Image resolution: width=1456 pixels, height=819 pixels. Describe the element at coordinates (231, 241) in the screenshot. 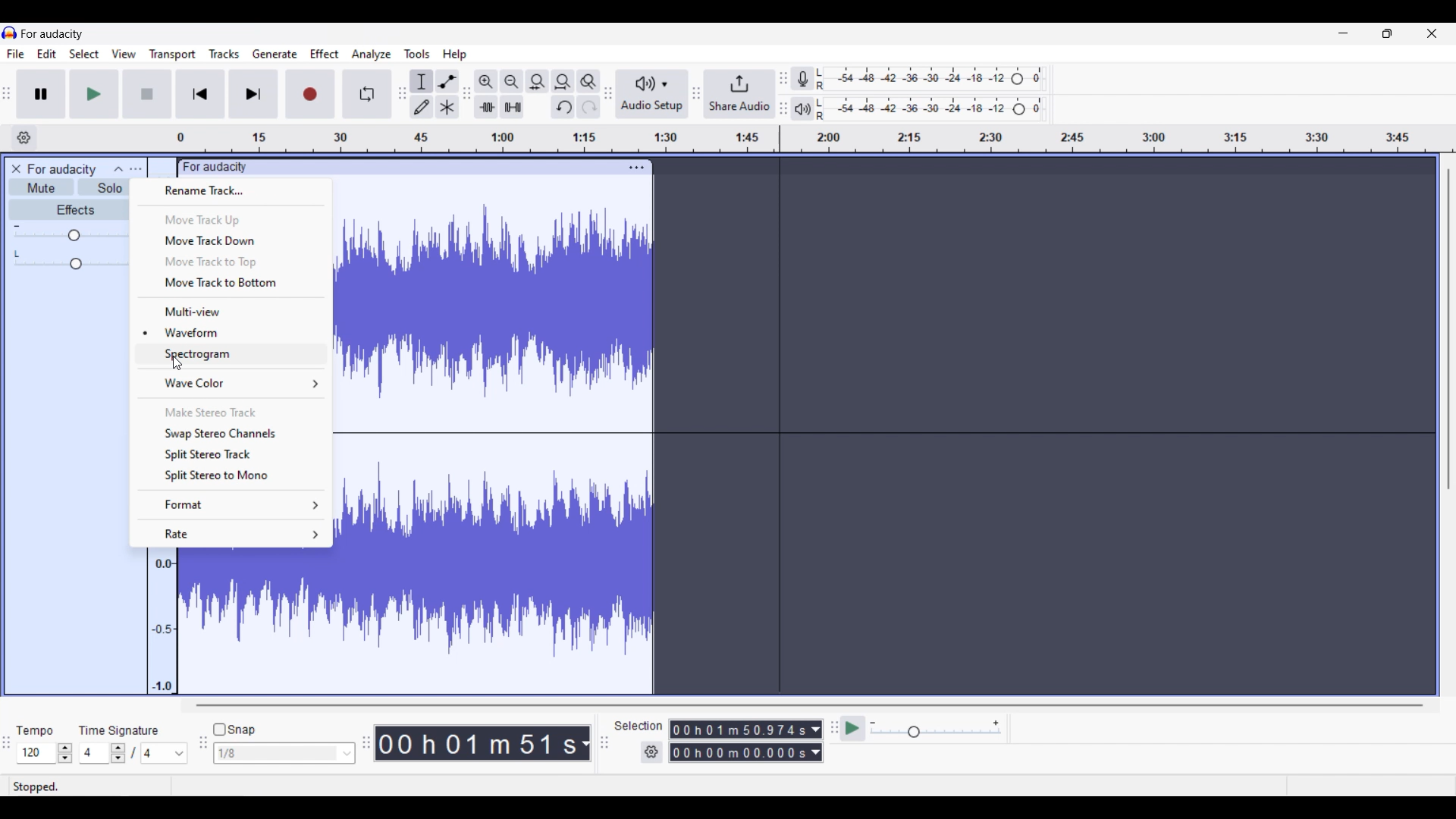

I see `Move track down` at that location.